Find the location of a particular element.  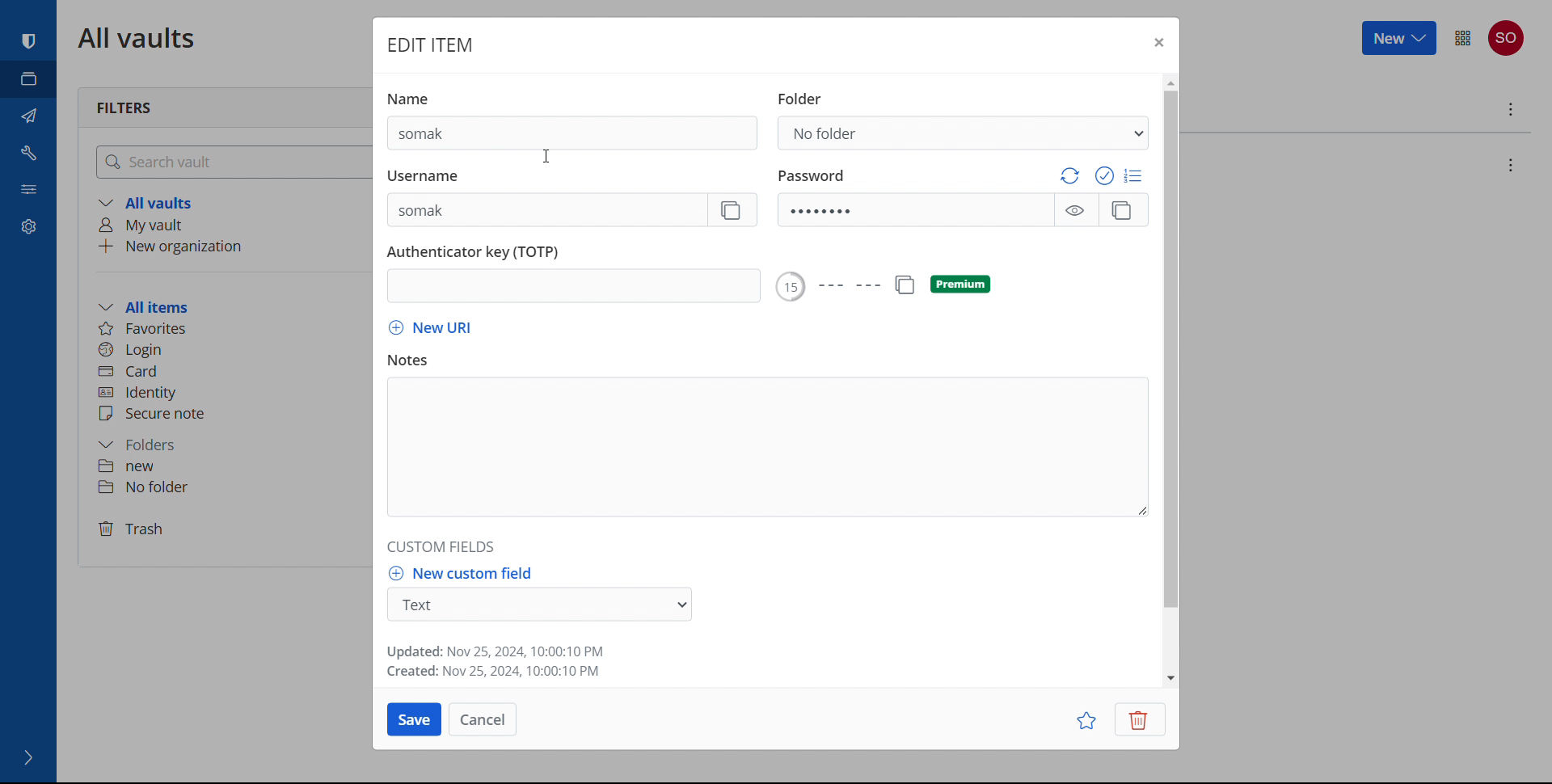

scroll up is located at coordinates (1169, 81).